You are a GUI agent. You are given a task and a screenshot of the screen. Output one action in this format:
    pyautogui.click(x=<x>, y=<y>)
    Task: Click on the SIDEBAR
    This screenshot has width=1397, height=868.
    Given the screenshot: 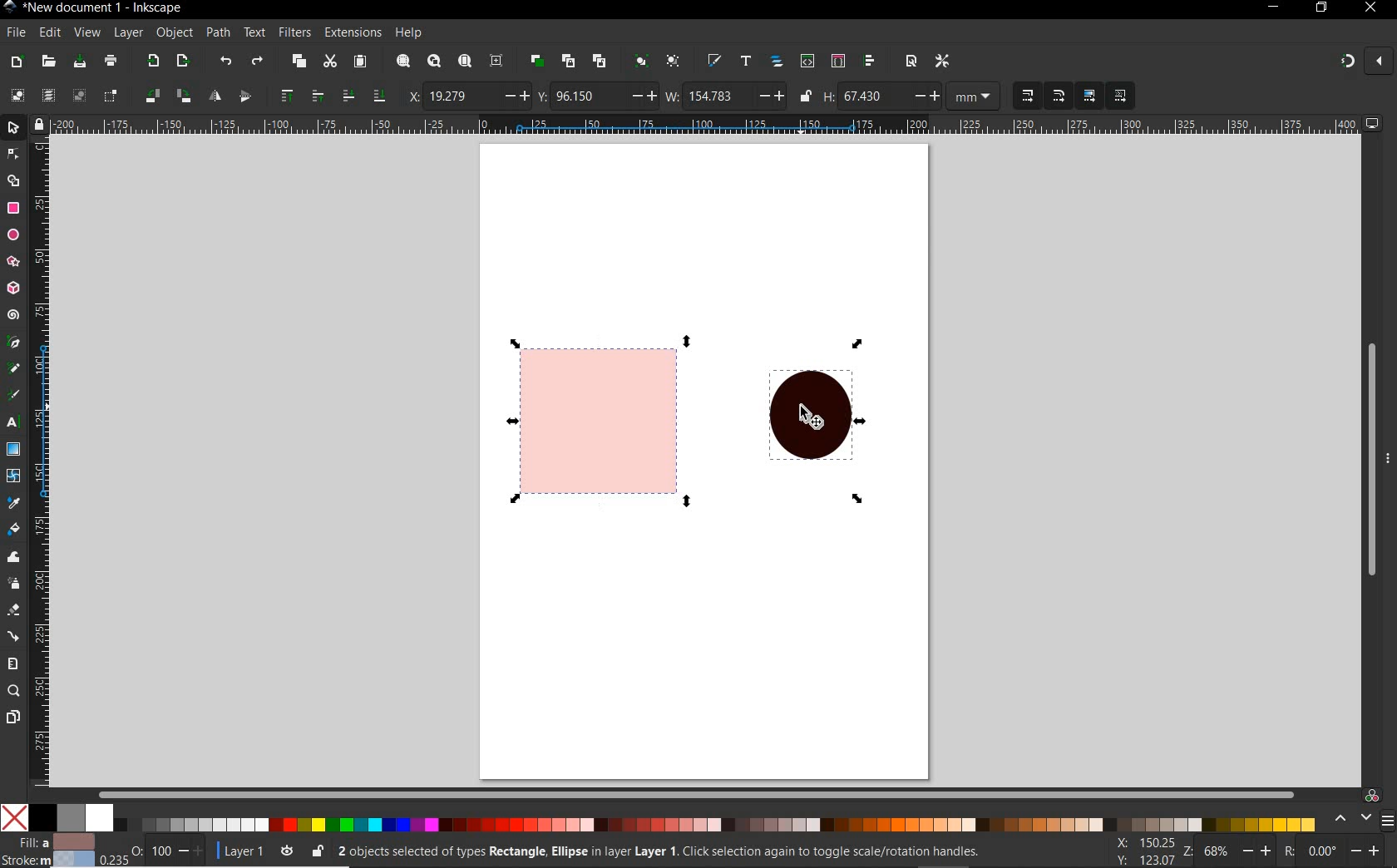 What is the action you would take?
    pyautogui.click(x=1389, y=821)
    